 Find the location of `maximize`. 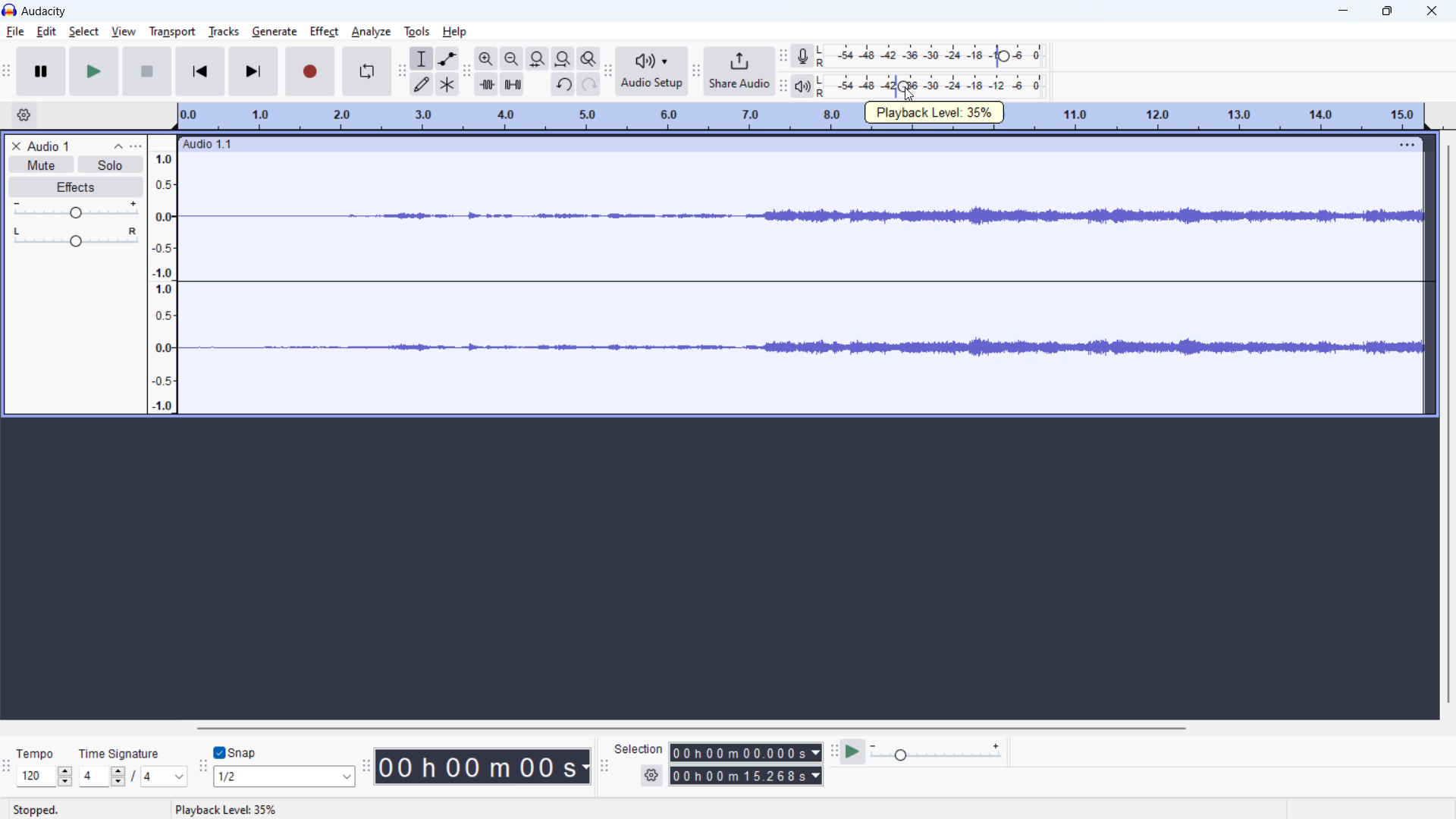

maximize is located at coordinates (1387, 11).